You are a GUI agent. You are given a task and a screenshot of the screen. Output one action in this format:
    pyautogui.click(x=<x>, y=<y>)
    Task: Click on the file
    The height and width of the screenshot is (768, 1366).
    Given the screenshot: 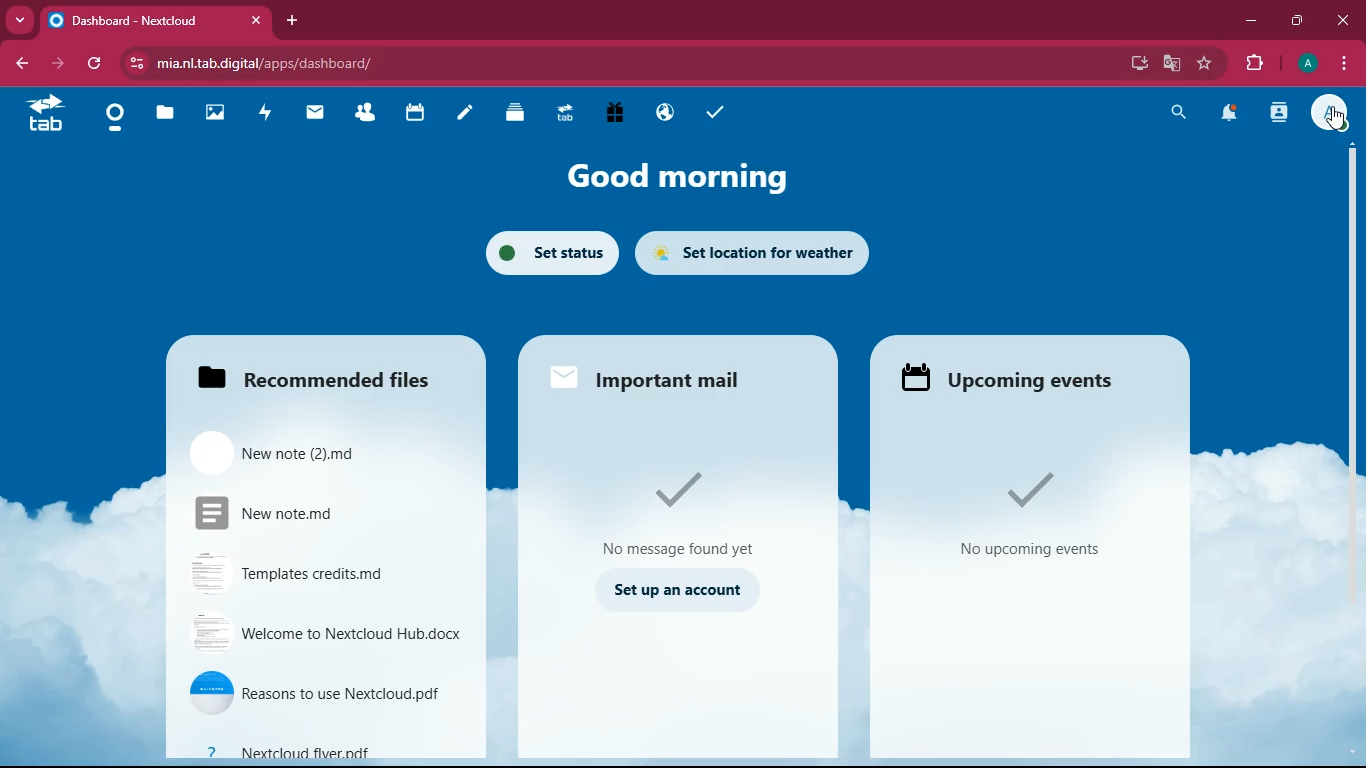 What is the action you would take?
    pyautogui.click(x=326, y=688)
    